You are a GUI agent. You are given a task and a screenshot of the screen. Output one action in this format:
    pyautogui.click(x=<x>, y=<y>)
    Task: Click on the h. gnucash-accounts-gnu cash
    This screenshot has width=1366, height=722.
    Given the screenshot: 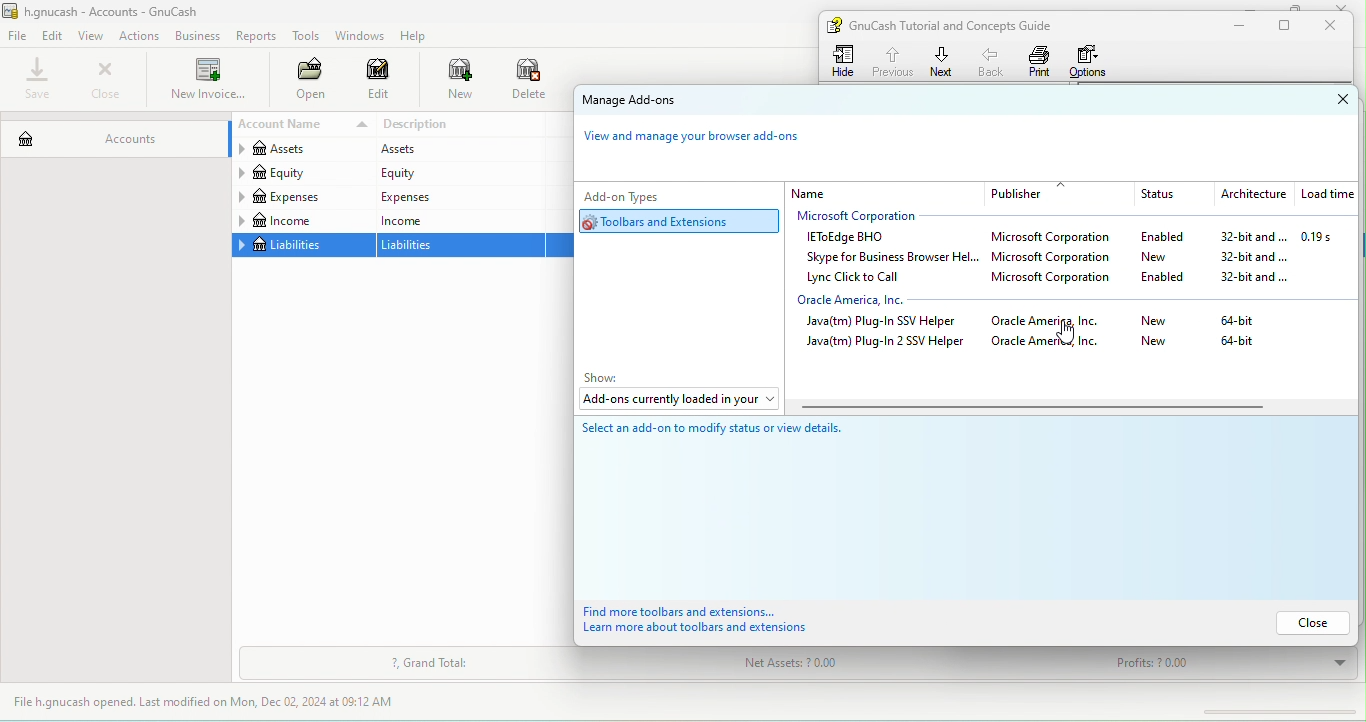 What is the action you would take?
    pyautogui.click(x=125, y=10)
    